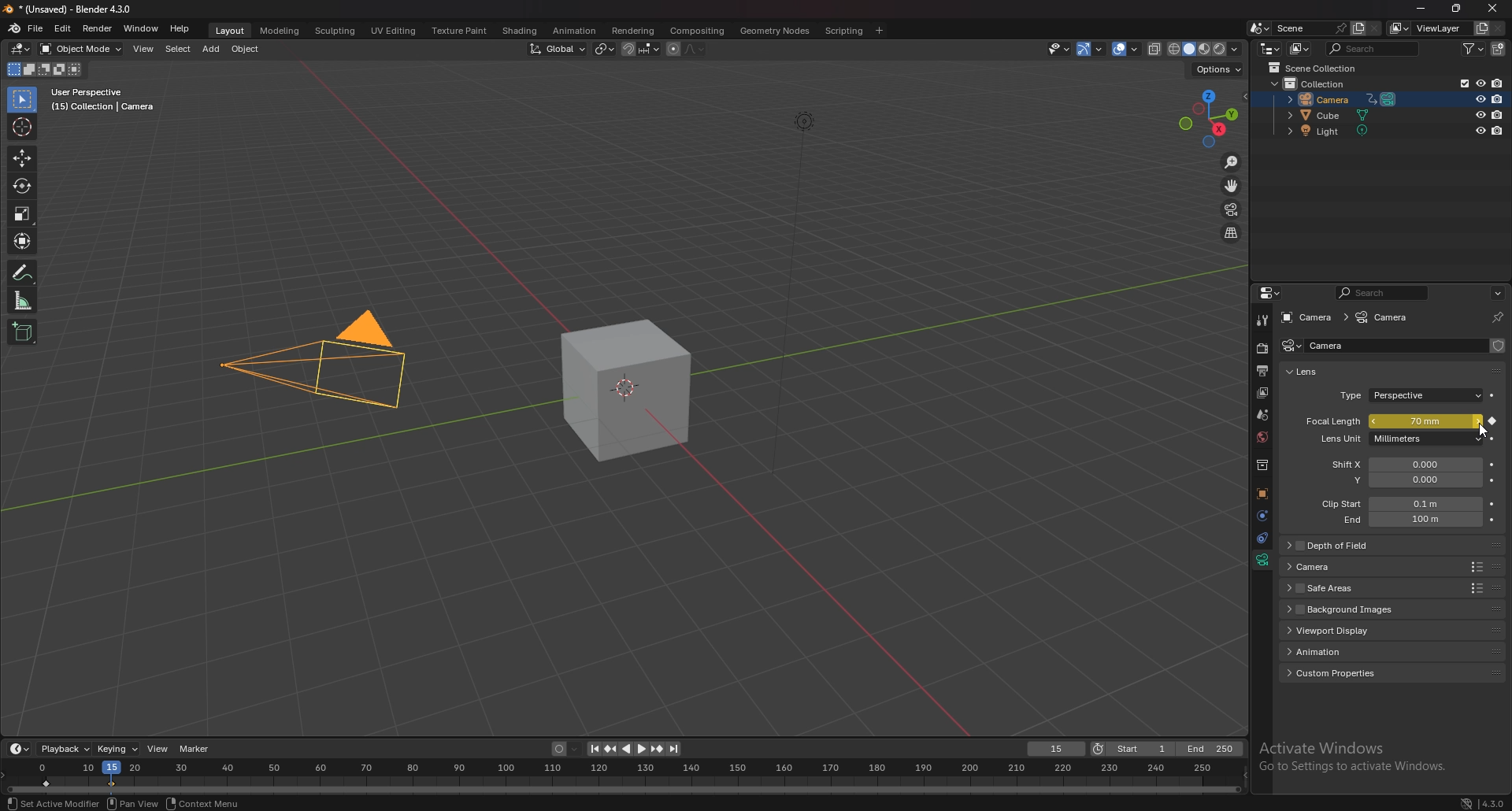 Image resolution: width=1512 pixels, height=811 pixels. Describe the element at coordinates (1479, 83) in the screenshot. I see `hide in viewport` at that location.